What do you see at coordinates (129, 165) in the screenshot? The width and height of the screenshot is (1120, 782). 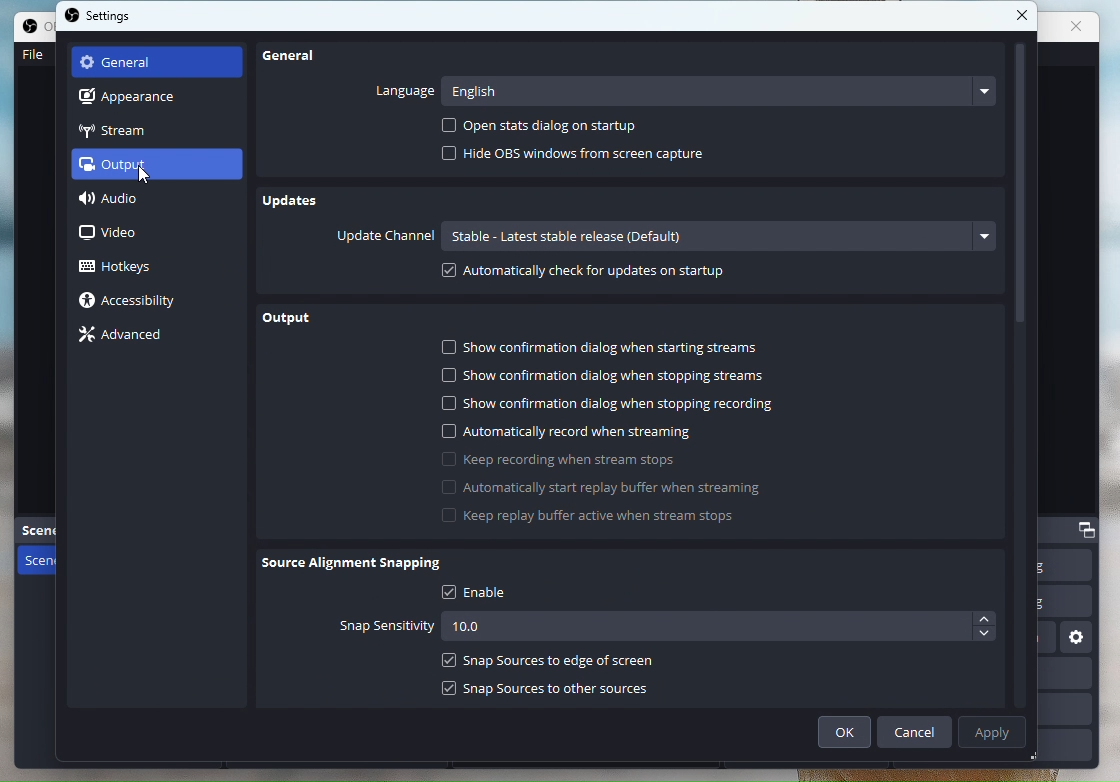 I see `Output` at bounding box center [129, 165].